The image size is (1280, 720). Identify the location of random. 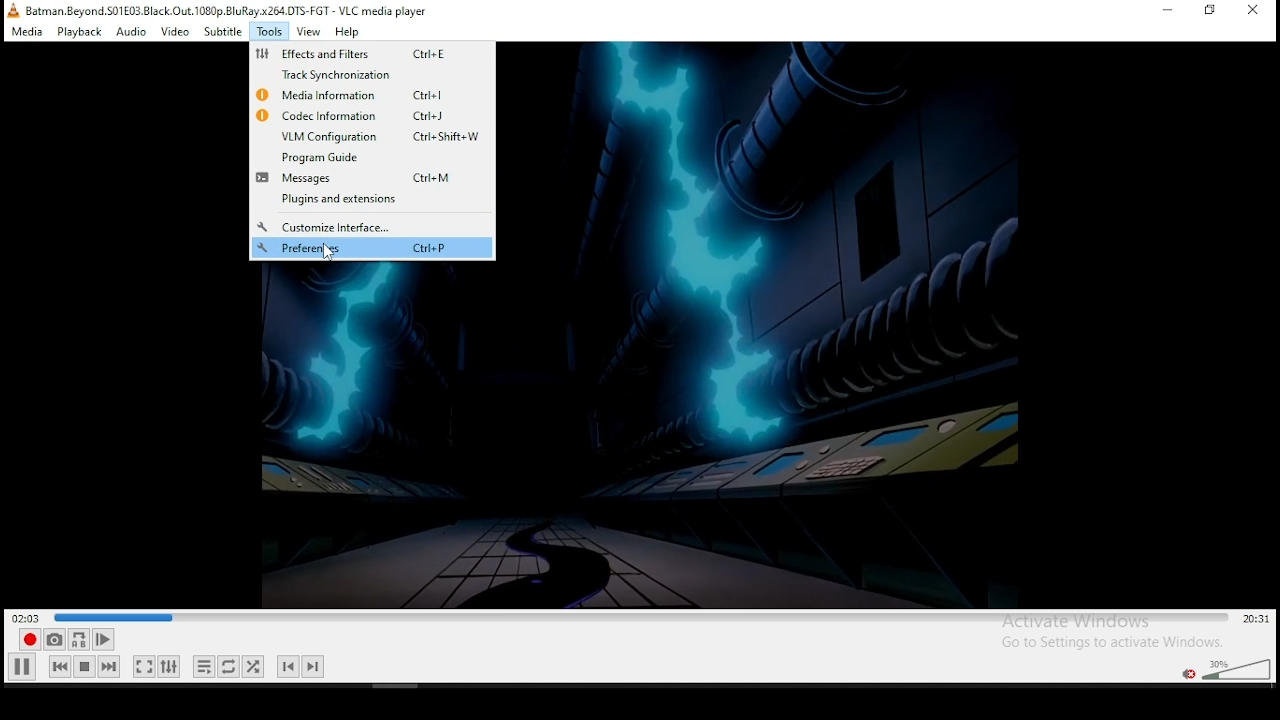
(252, 666).